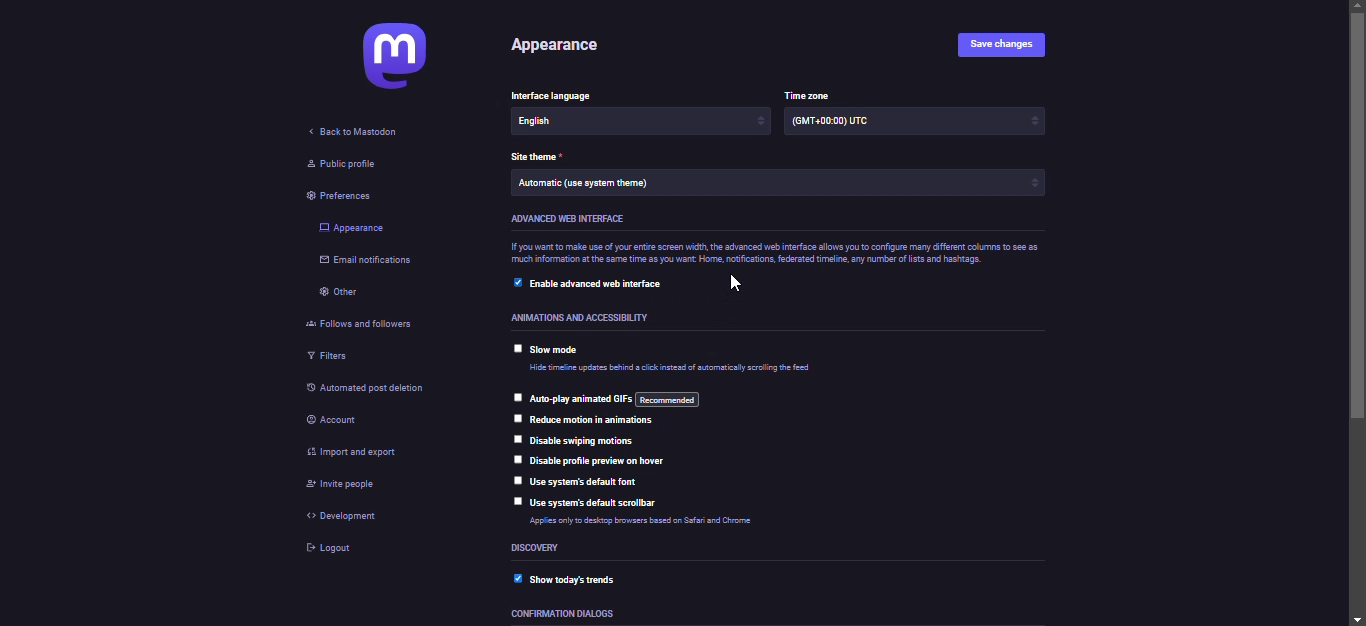 Image resolution: width=1366 pixels, height=626 pixels. Describe the element at coordinates (804, 96) in the screenshot. I see `time zone` at that location.